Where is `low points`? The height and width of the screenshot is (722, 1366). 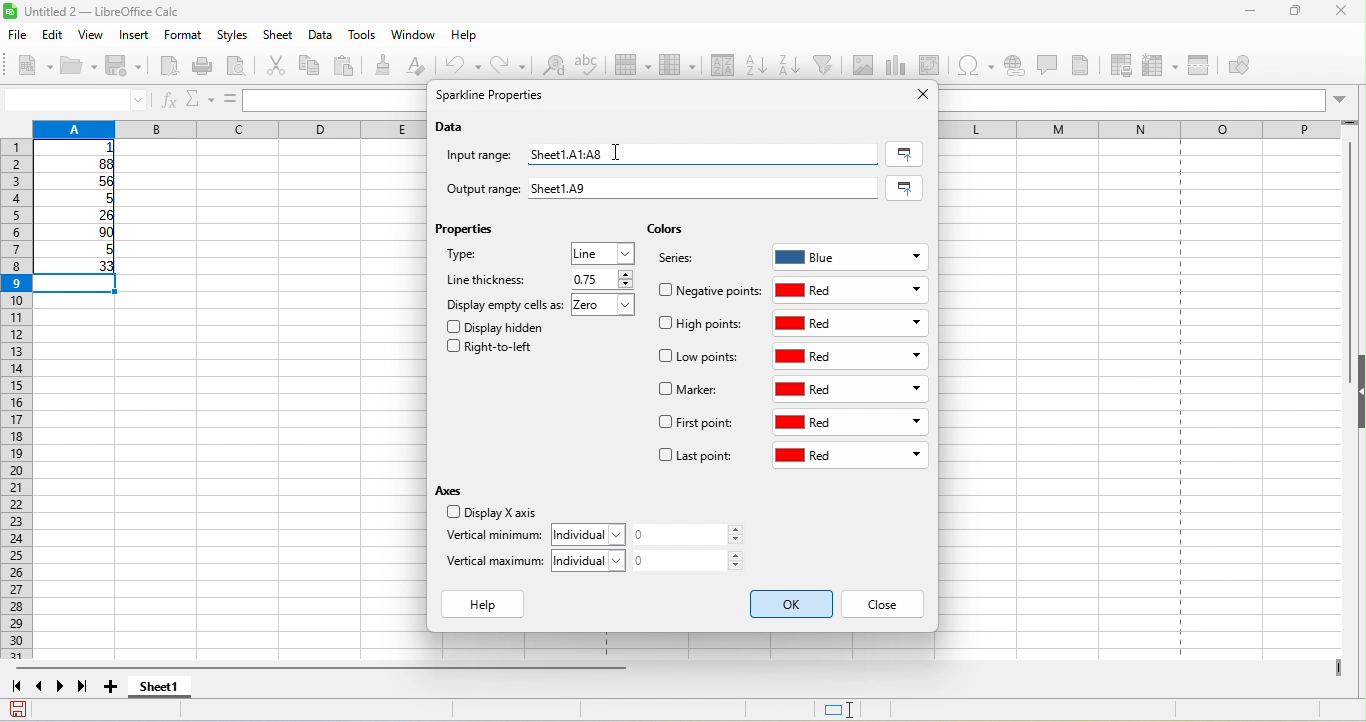
low points is located at coordinates (702, 358).